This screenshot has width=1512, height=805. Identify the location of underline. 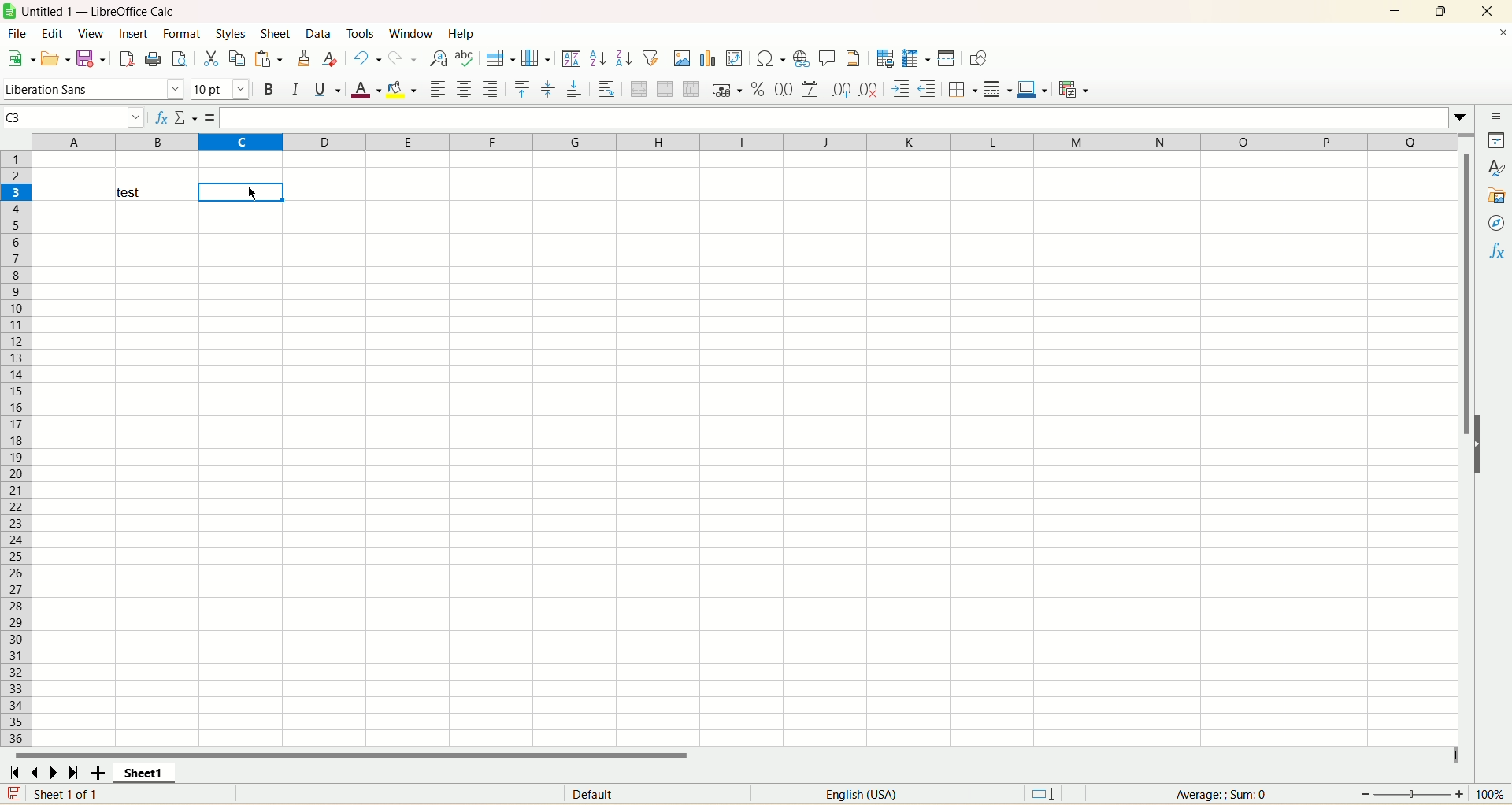
(328, 89).